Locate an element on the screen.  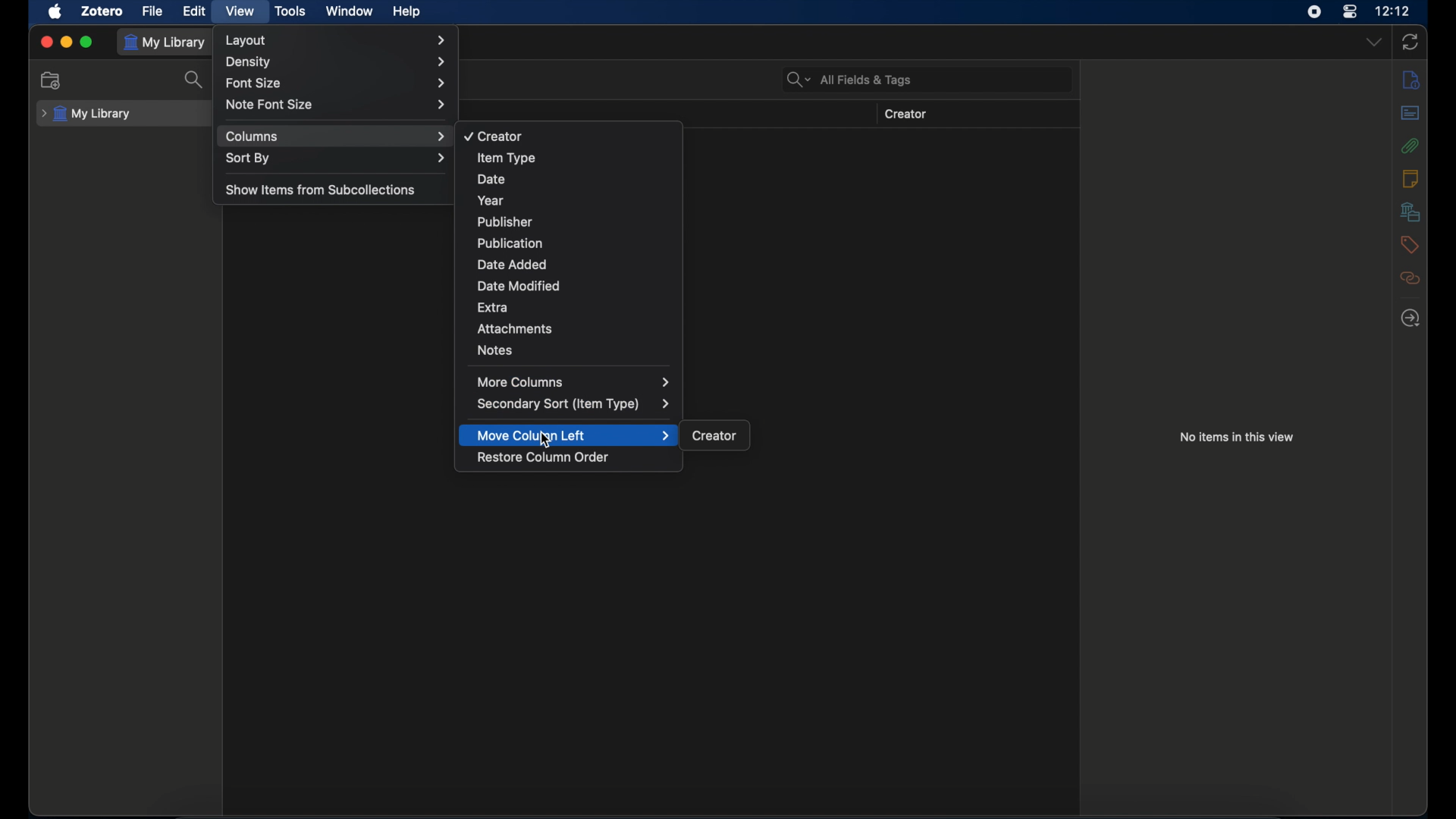
tools is located at coordinates (290, 12).